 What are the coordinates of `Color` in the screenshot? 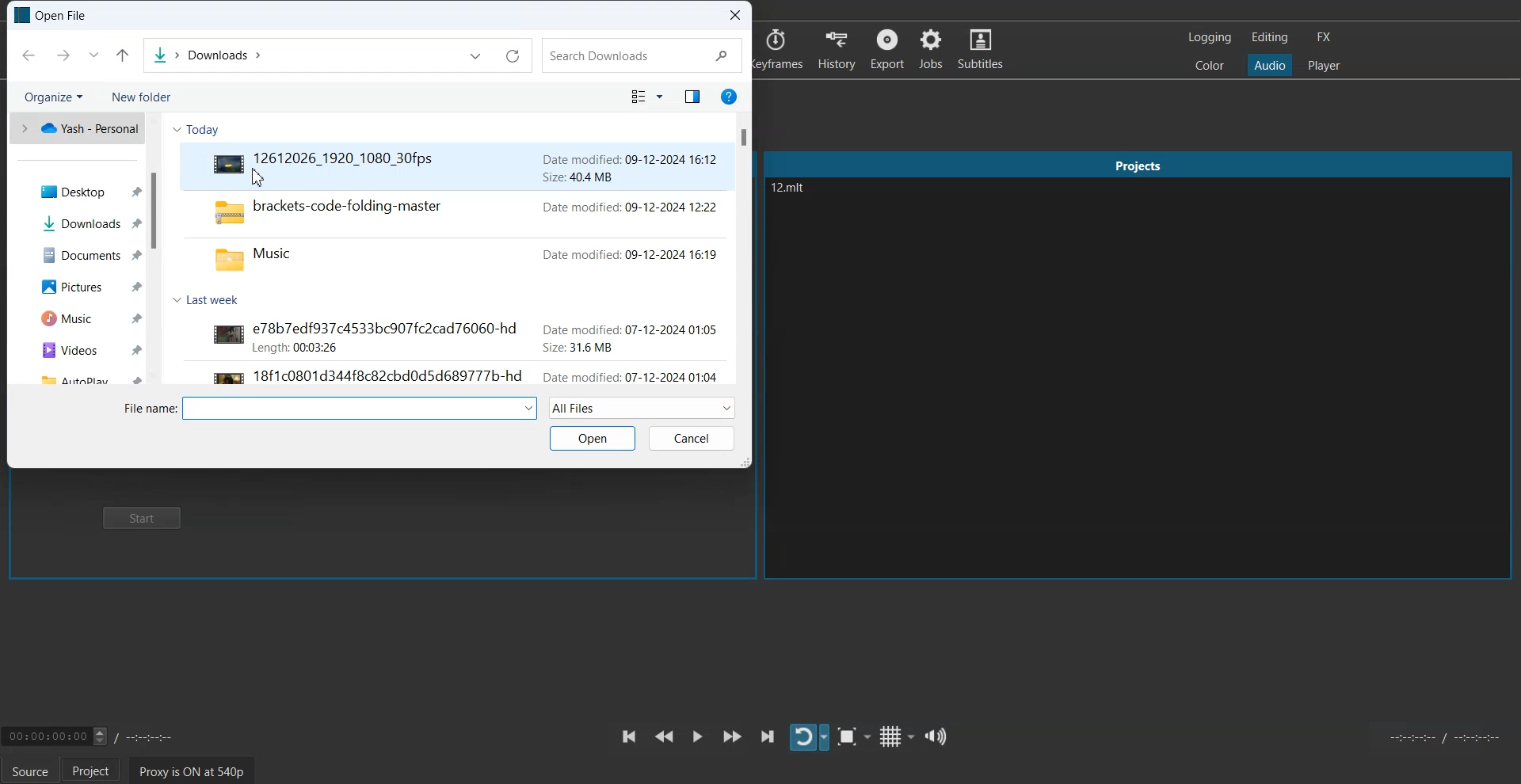 It's located at (1210, 64).